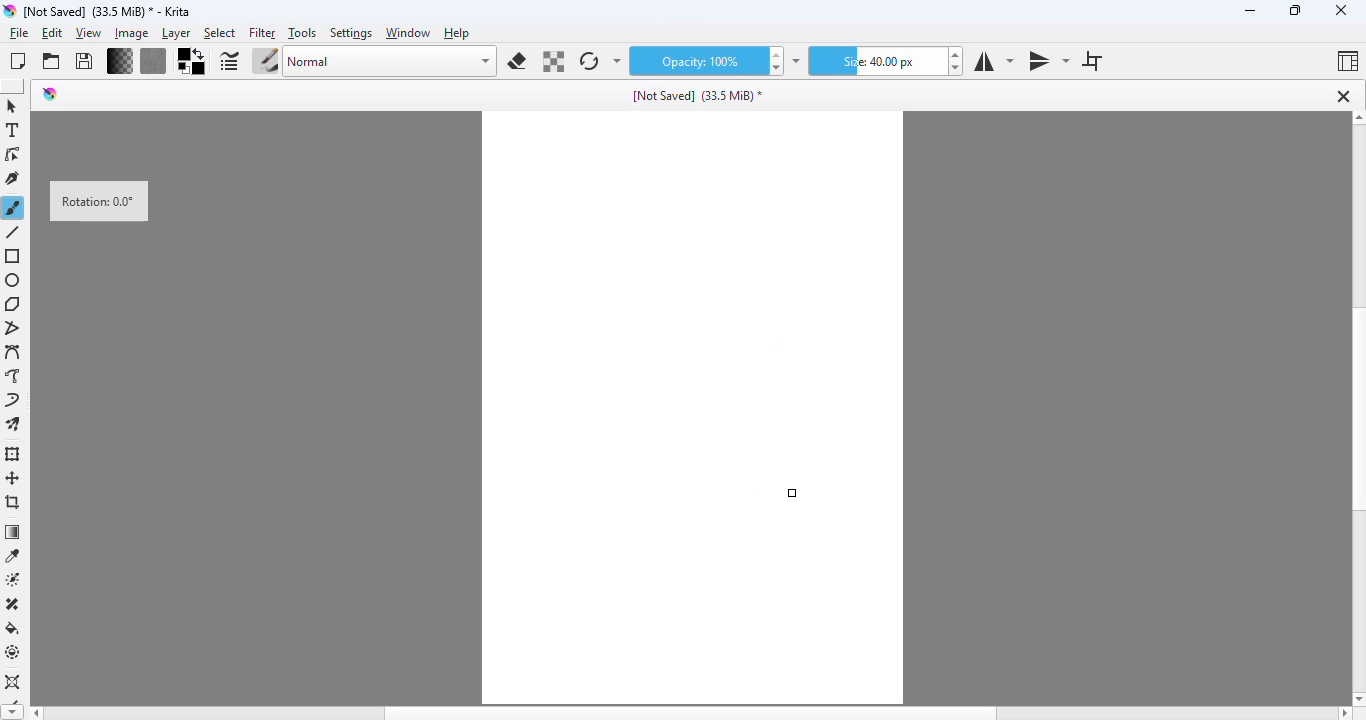 The width and height of the screenshot is (1366, 720). I want to click on reload original preset, so click(588, 61).